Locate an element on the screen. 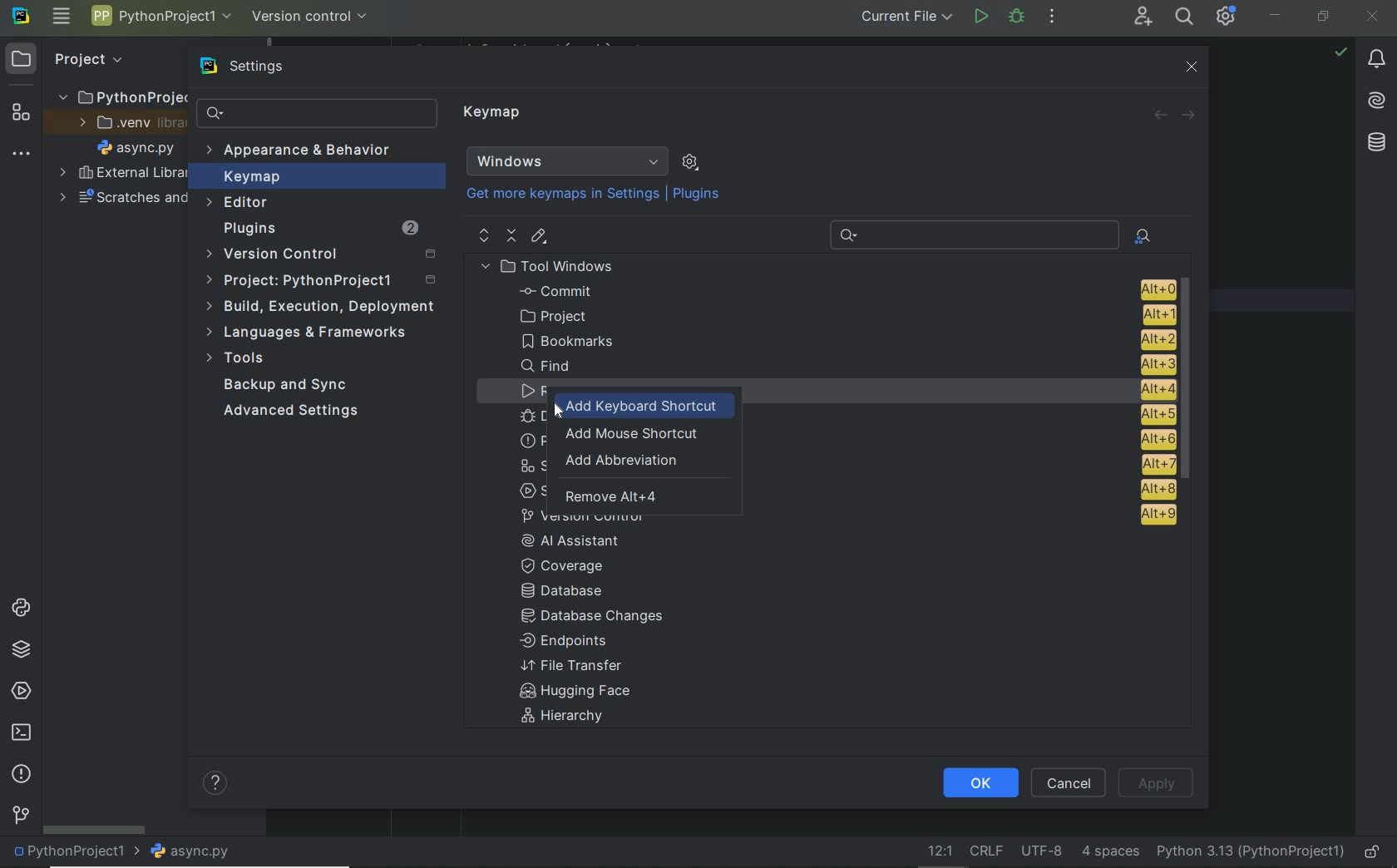 The height and width of the screenshot is (868, 1397). system name is located at coordinates (21, 17).